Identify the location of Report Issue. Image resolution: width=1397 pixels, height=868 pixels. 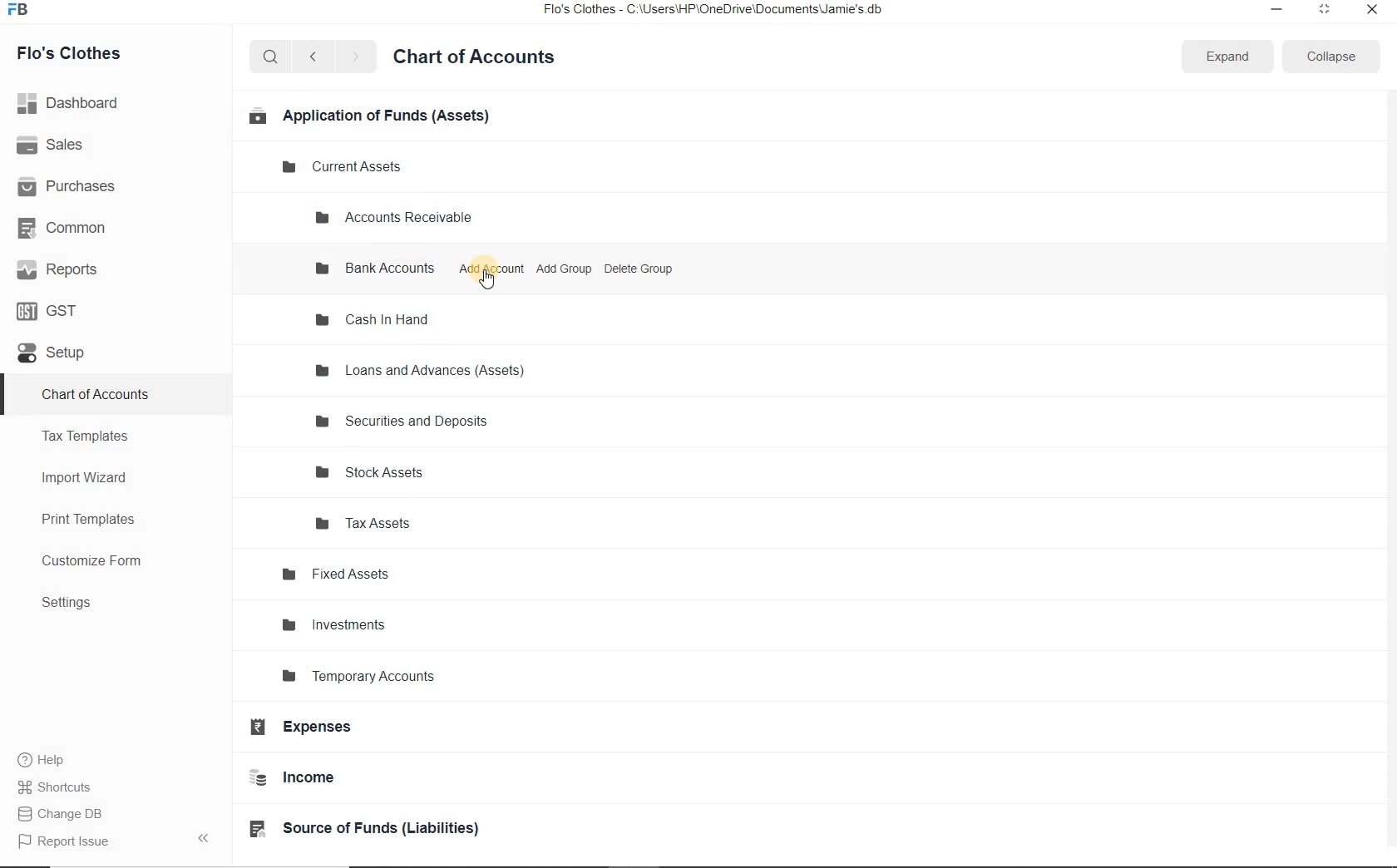
(63, 841).